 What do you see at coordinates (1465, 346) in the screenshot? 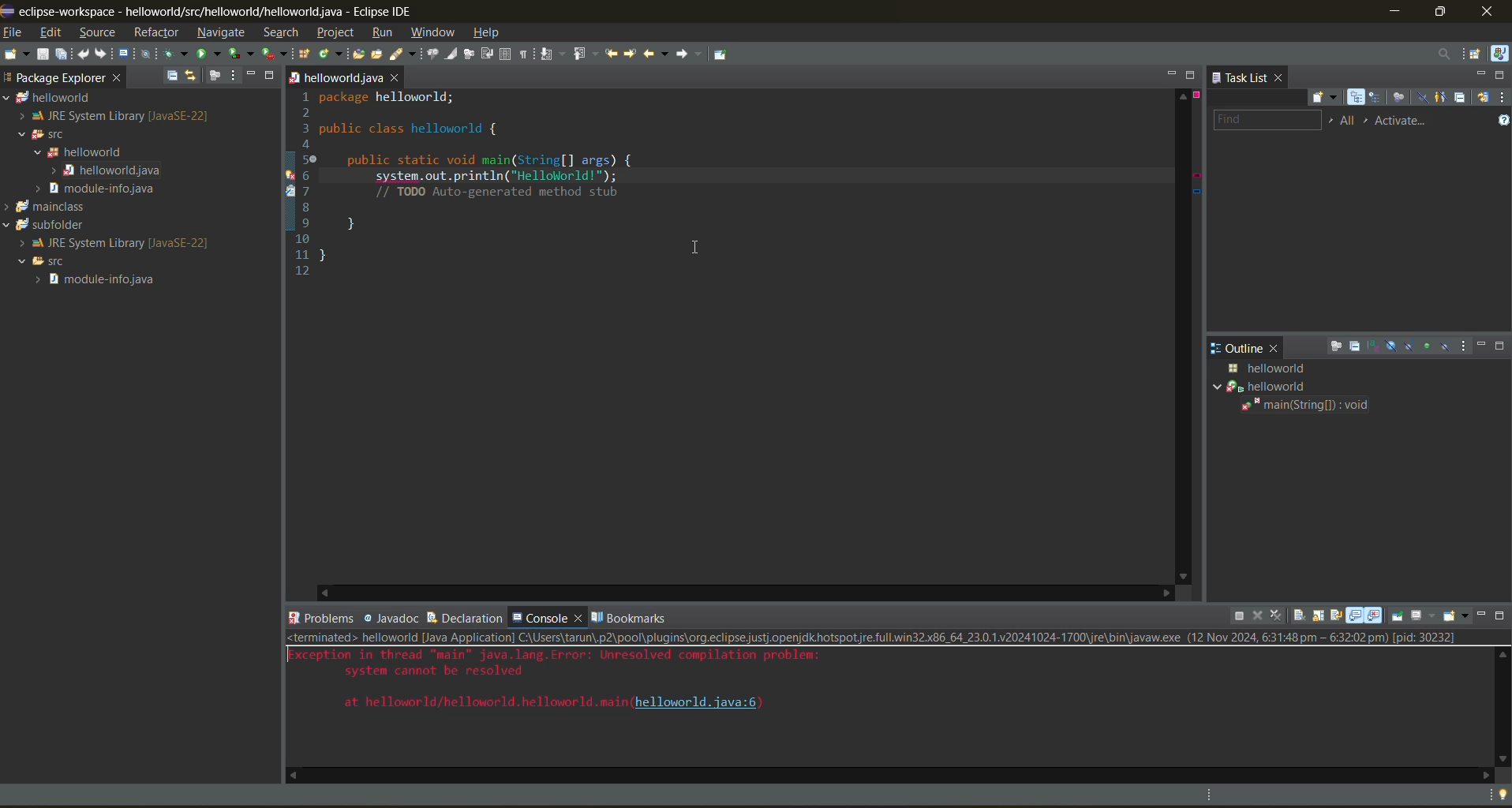
I see `view menu` at bounding box center [1465, 346].